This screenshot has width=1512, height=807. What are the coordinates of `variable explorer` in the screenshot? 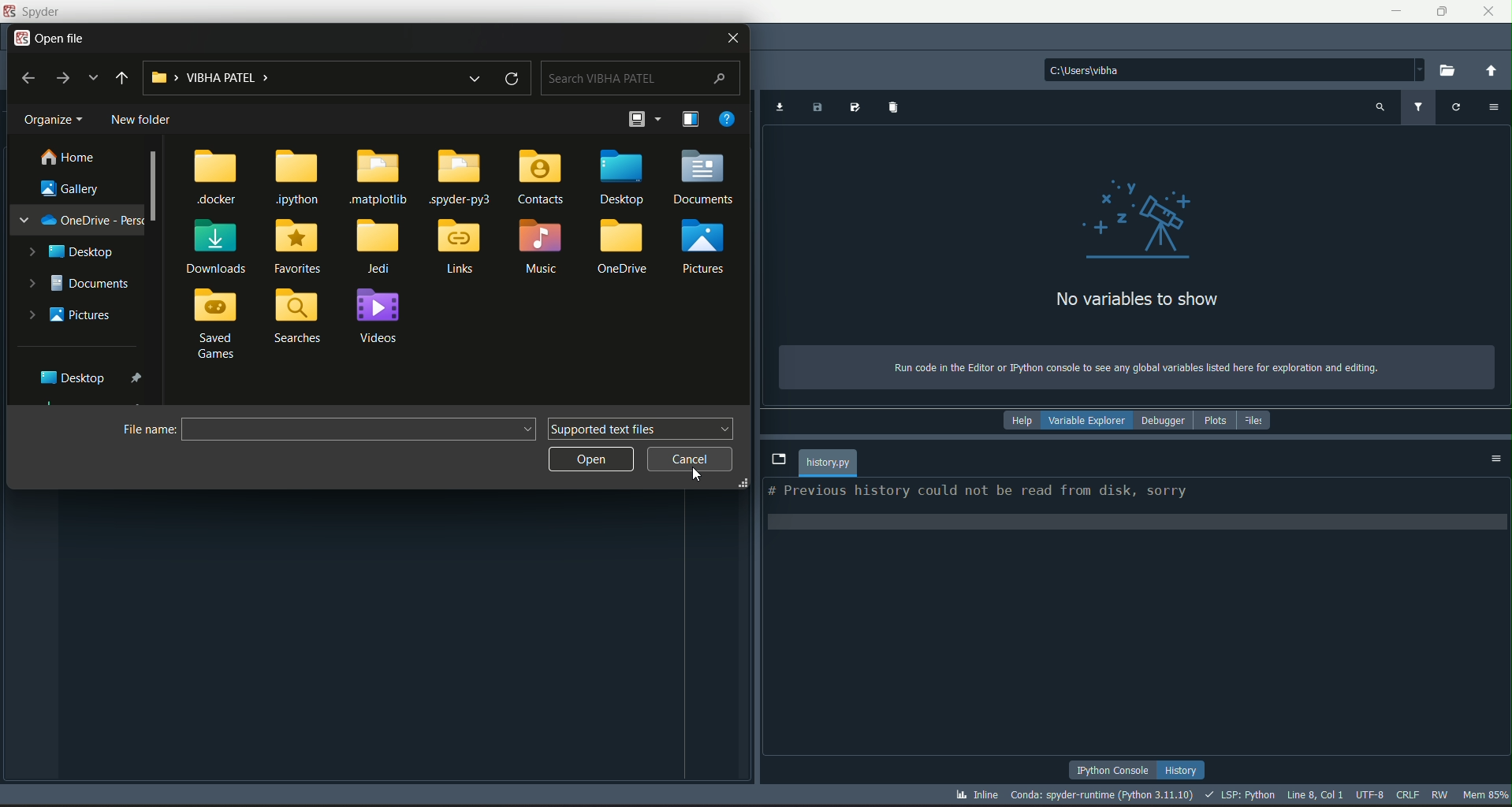 It's located at (1086, 421).